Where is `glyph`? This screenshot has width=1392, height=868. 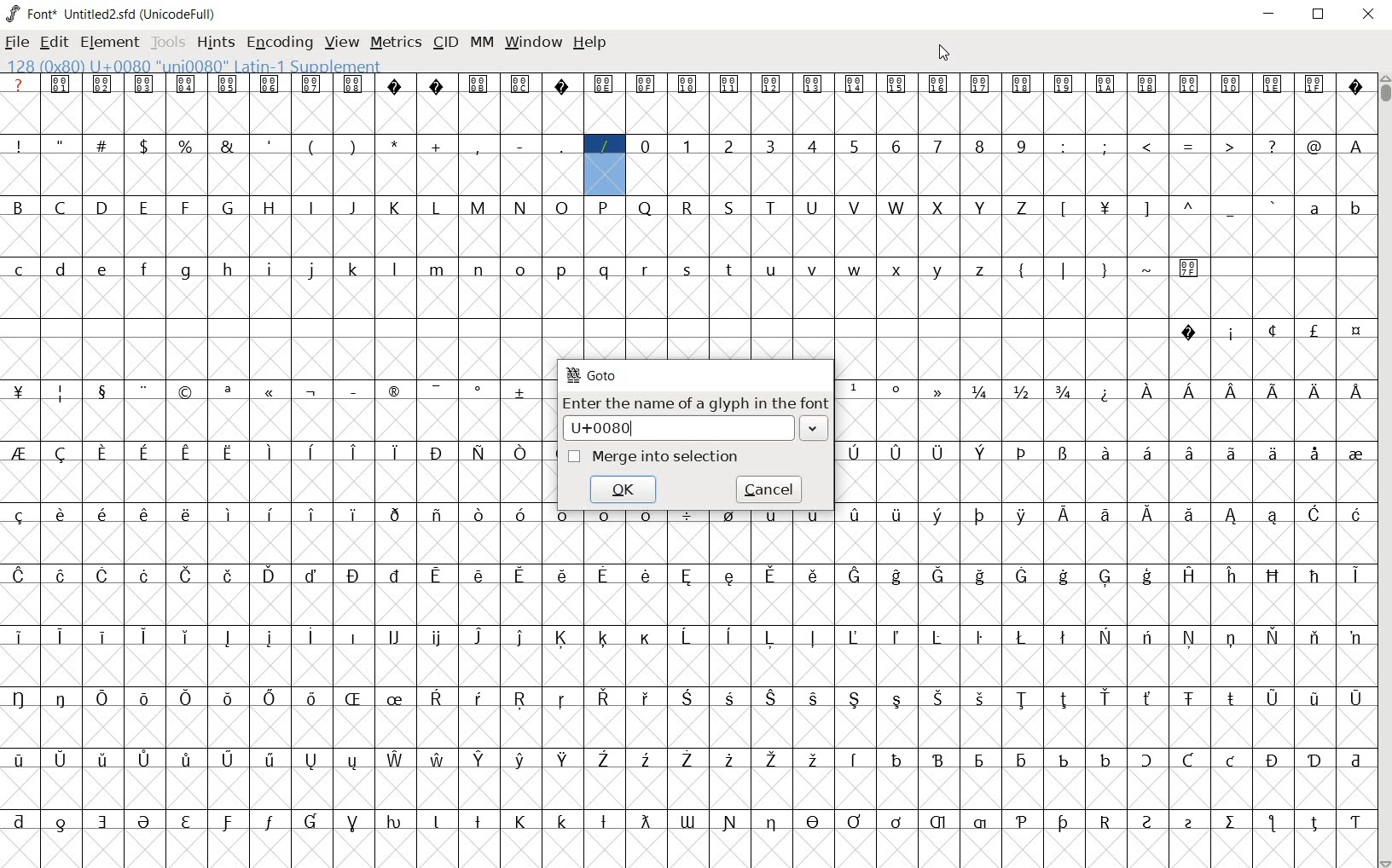 glyph is located at coordinates (604, 638).